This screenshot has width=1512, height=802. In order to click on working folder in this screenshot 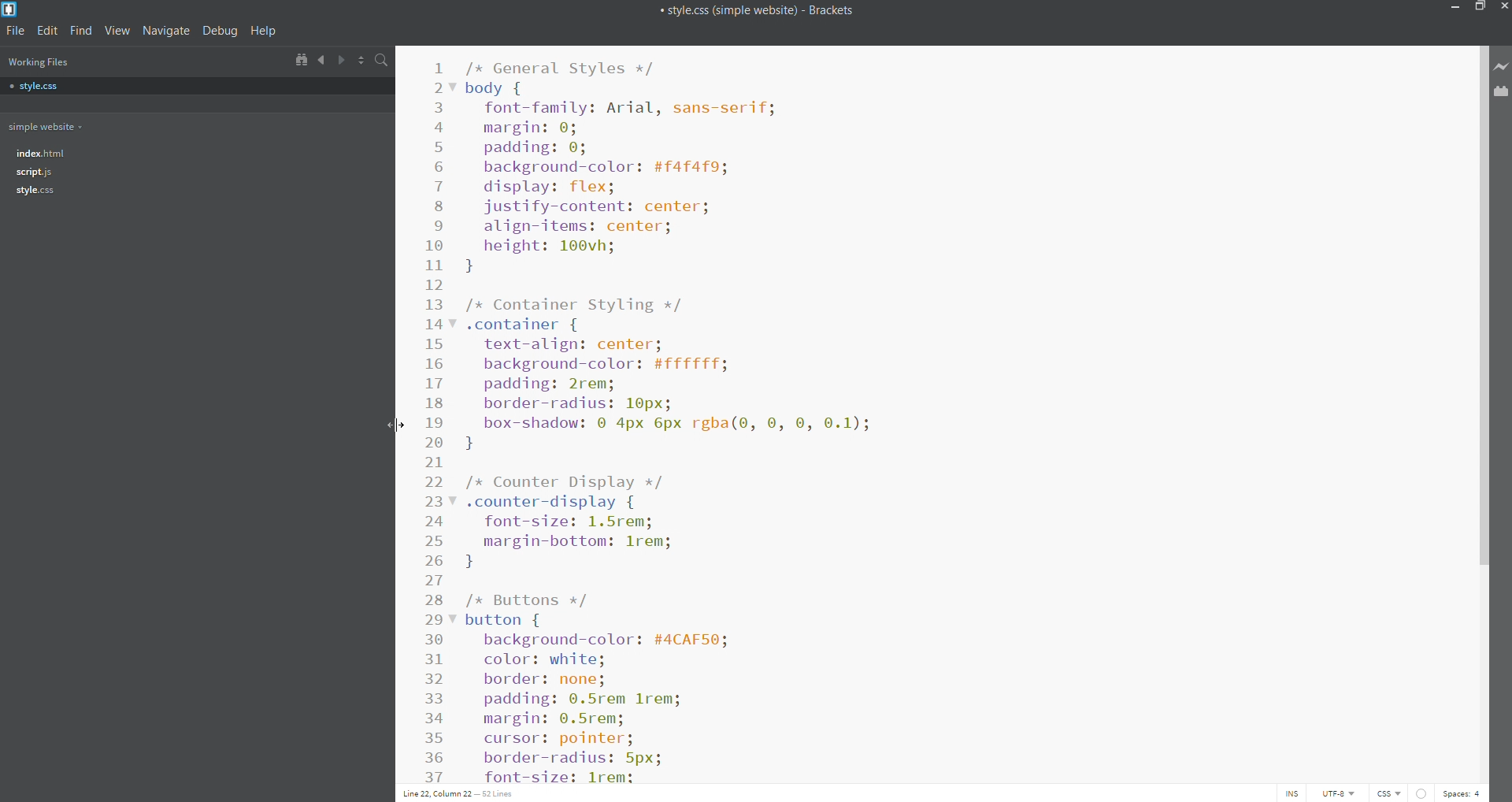, I will do `click(115, 125)`.